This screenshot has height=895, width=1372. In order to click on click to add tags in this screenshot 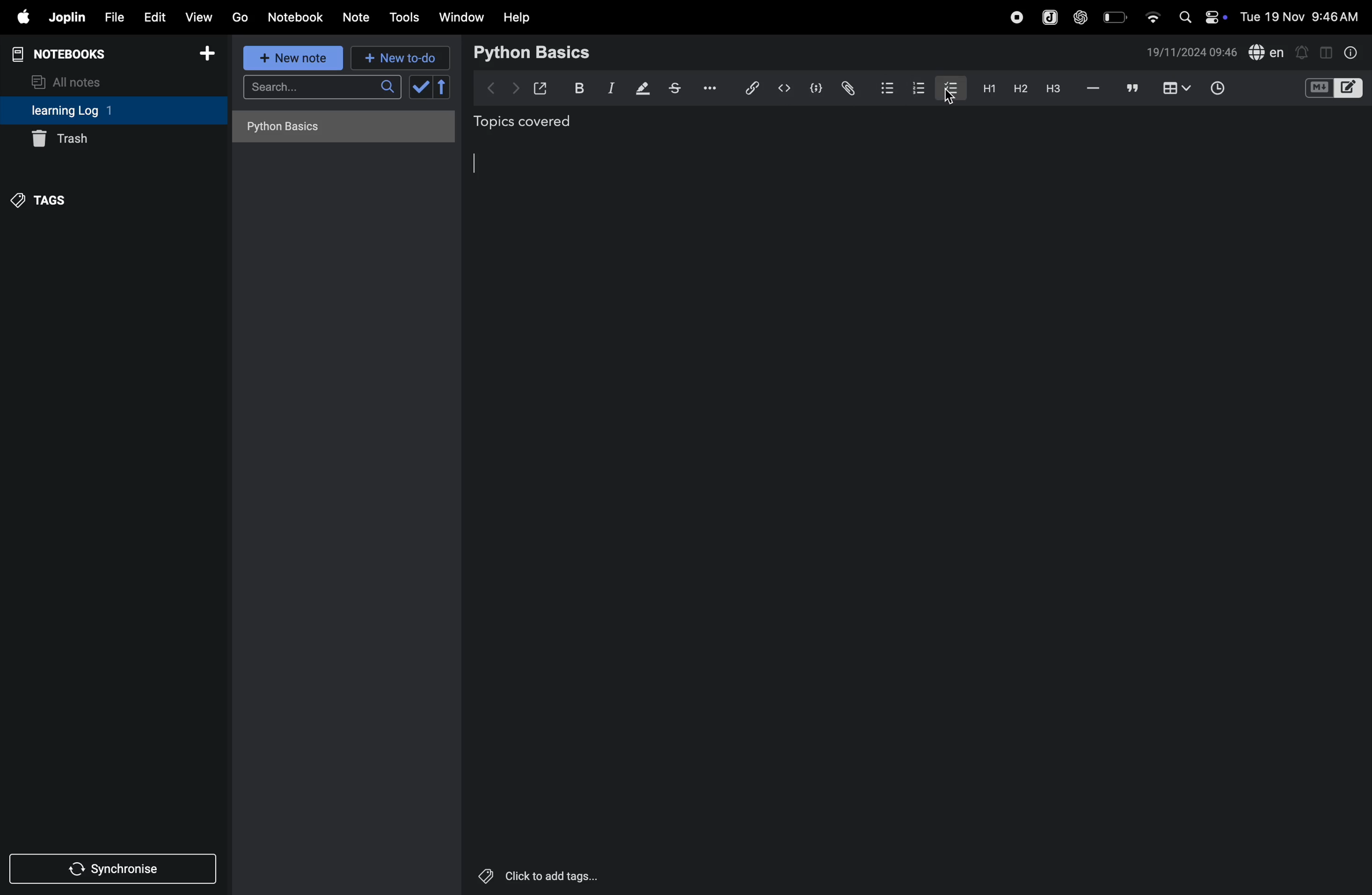, I will do `click(538, 877)`.